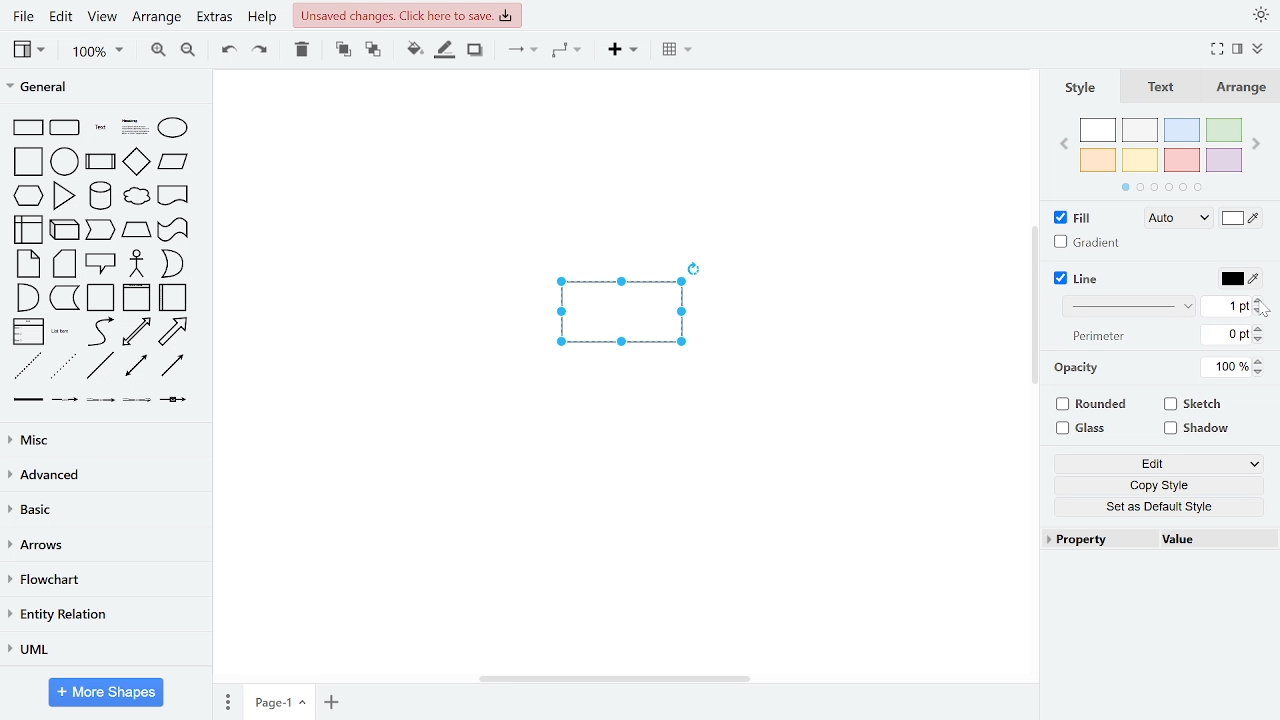  I want to click on general shapes, so click(61, 159).